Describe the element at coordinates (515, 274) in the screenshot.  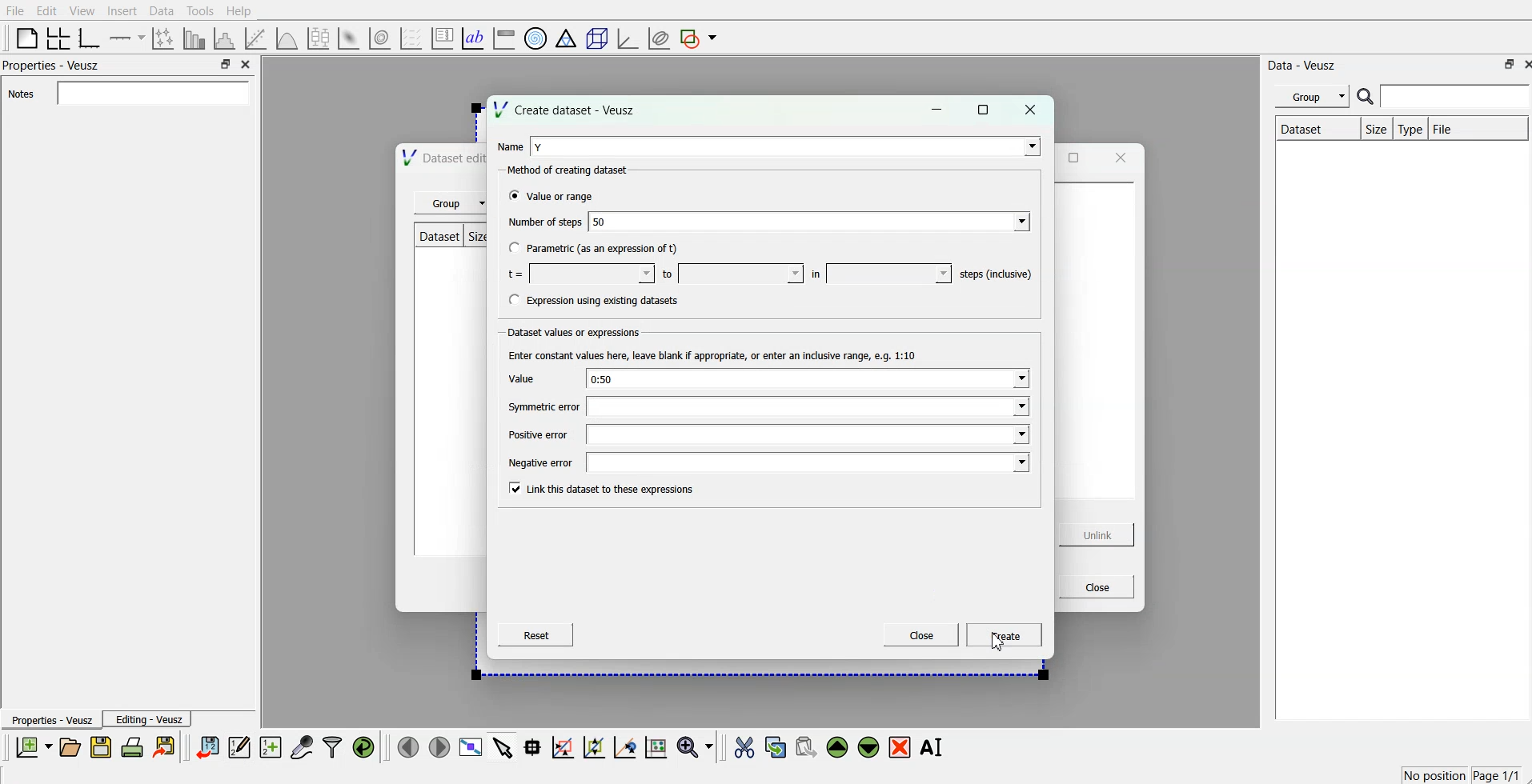
I see `t=` at that location.